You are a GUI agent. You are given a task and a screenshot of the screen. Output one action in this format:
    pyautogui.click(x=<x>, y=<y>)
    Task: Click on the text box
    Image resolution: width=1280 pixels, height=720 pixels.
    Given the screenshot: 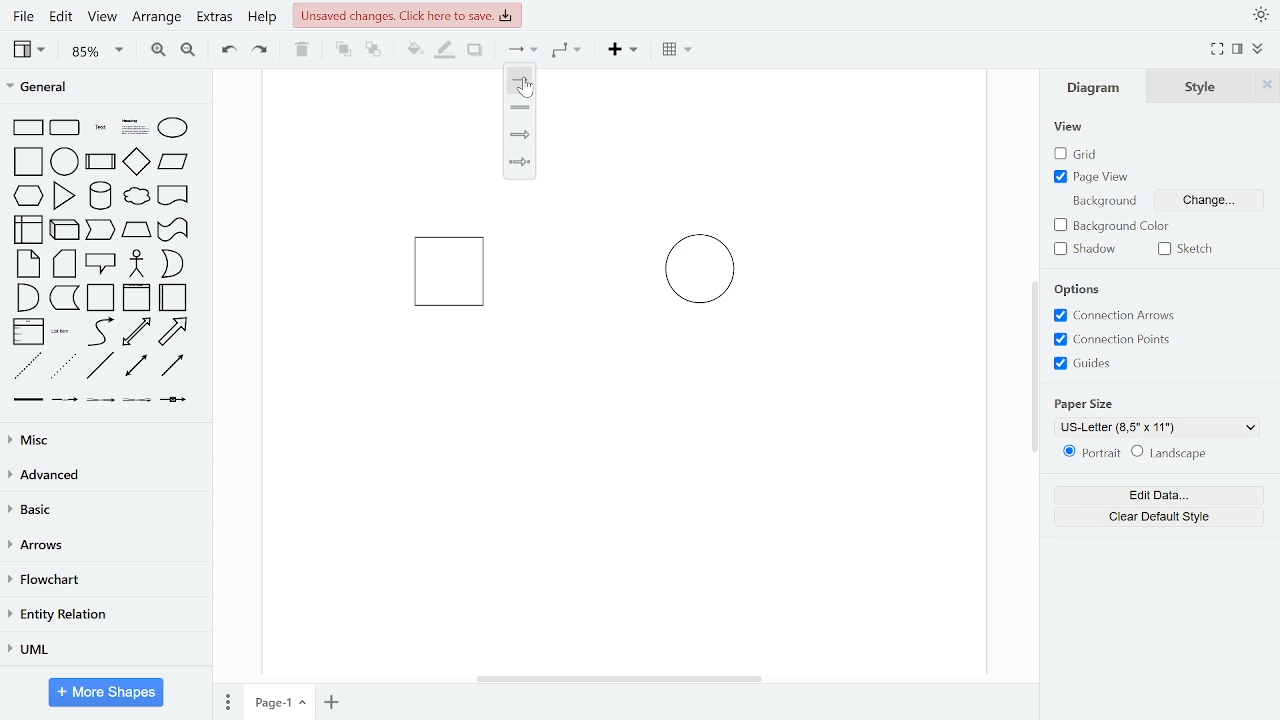 What is the action you would take?
    pyautogui.click(x=136, y=129)
    